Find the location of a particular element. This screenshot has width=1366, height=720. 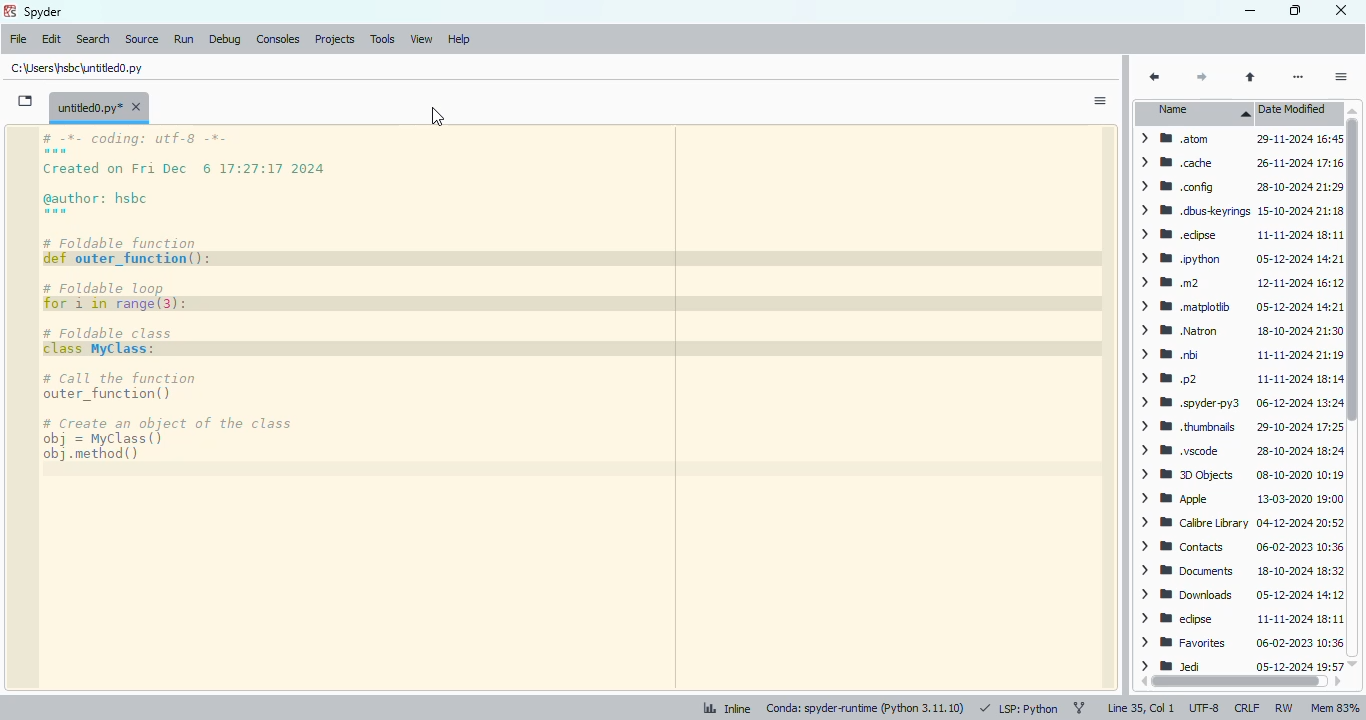

parent is located at coordinates (1251, 78).